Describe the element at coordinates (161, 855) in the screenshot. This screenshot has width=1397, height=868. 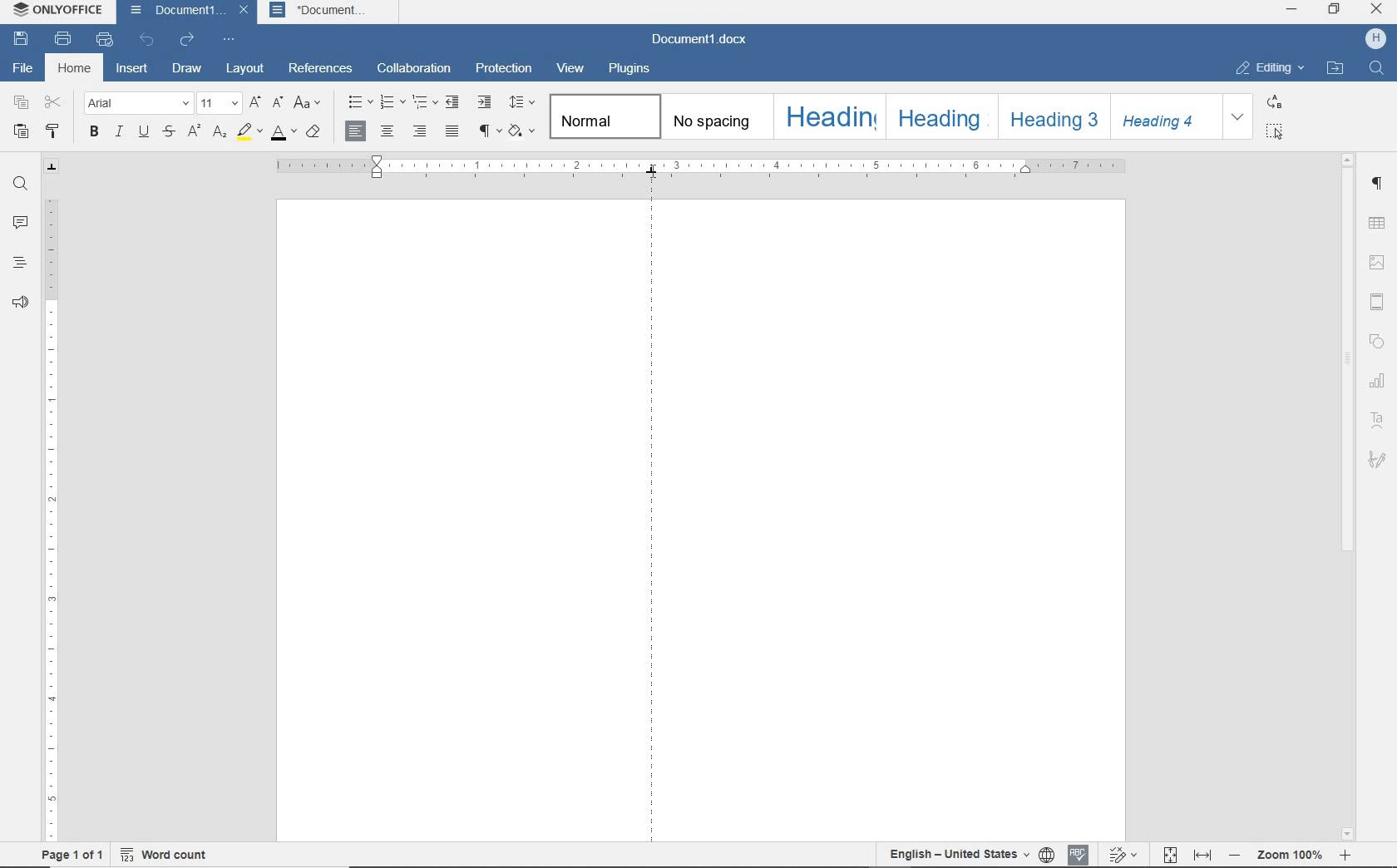
I see `WORD COUNT` at that location.